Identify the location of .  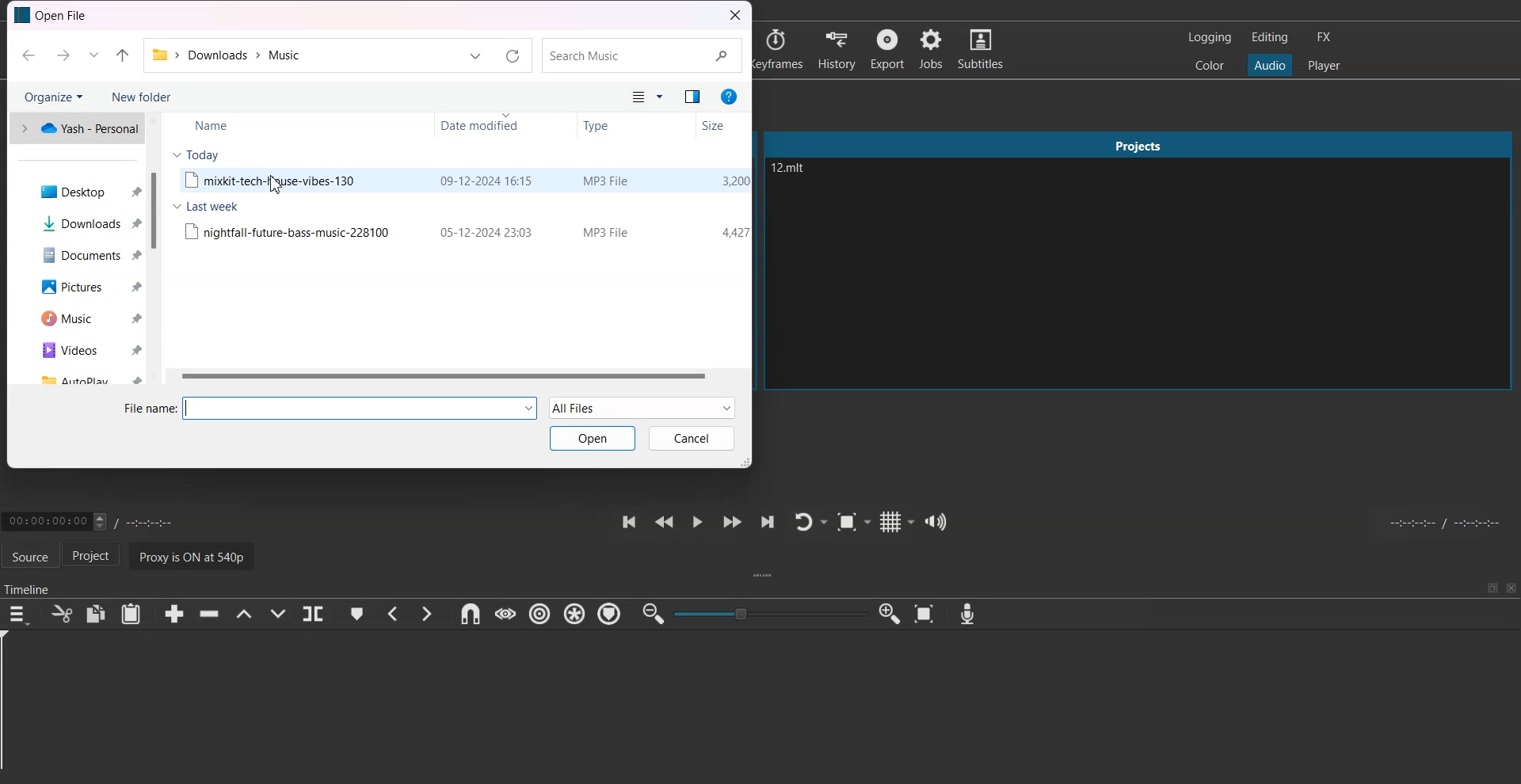
(663, 98).